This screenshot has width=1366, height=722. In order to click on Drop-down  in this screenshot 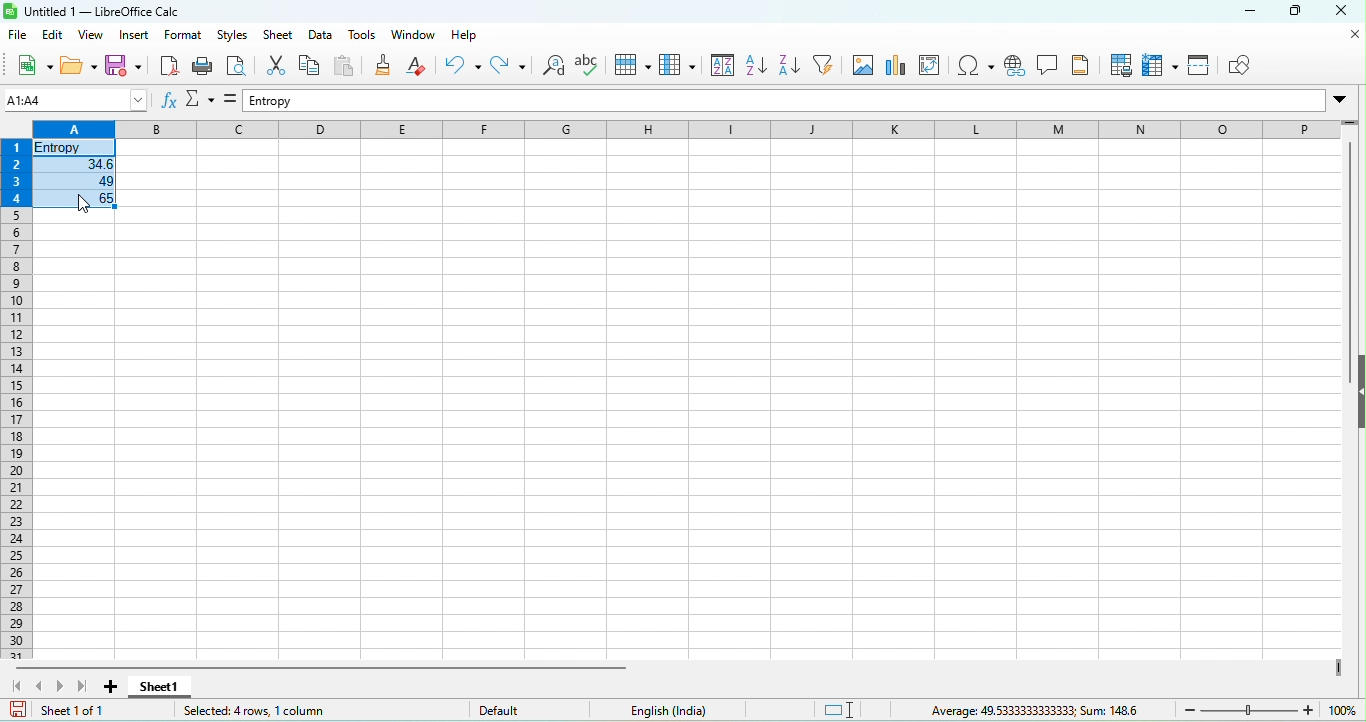, I will do `click(1344, 100)`.